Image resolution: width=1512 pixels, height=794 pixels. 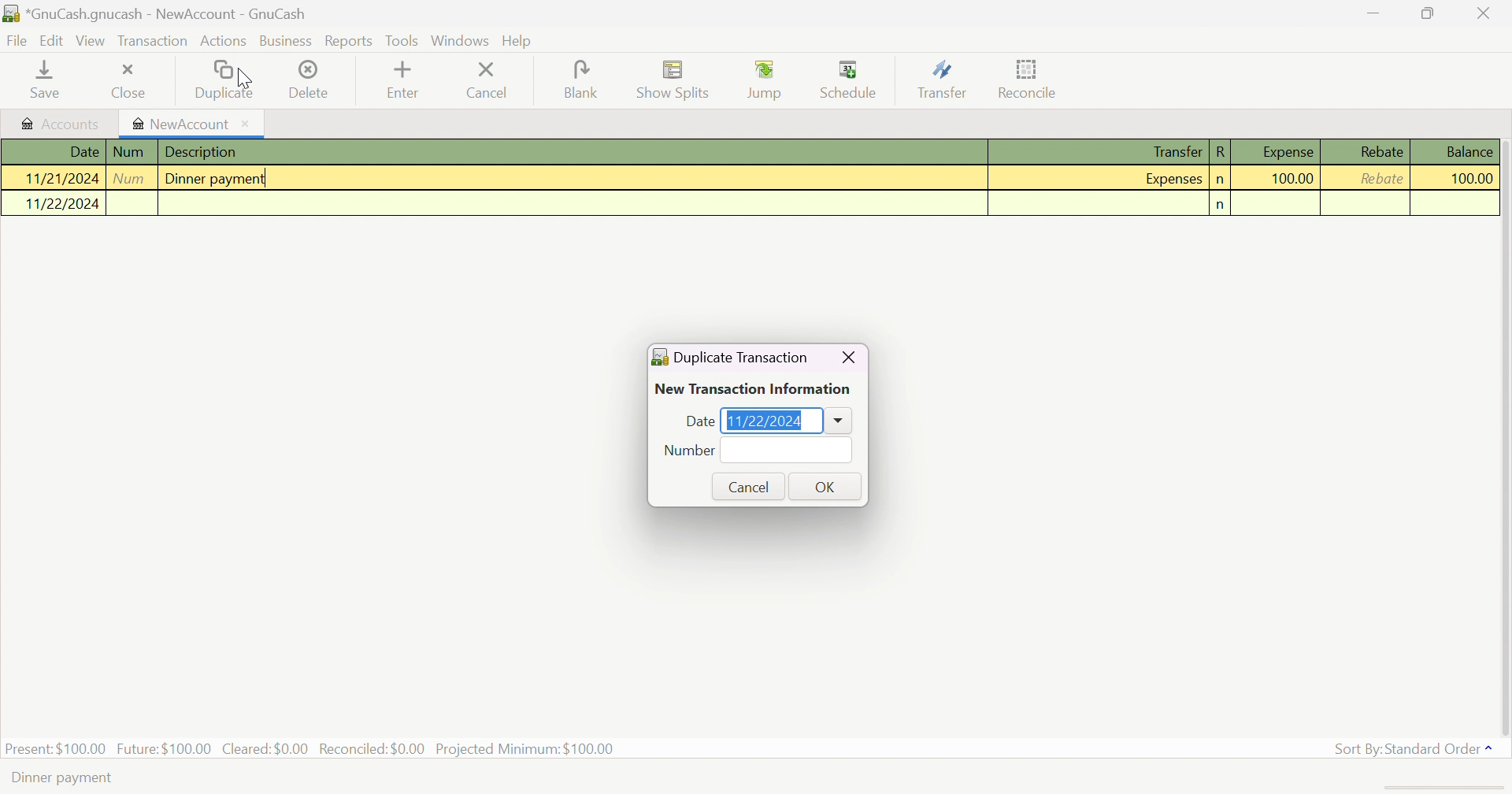 I want to click on Sort By: Standard Order, so click(x=1416, y=749).